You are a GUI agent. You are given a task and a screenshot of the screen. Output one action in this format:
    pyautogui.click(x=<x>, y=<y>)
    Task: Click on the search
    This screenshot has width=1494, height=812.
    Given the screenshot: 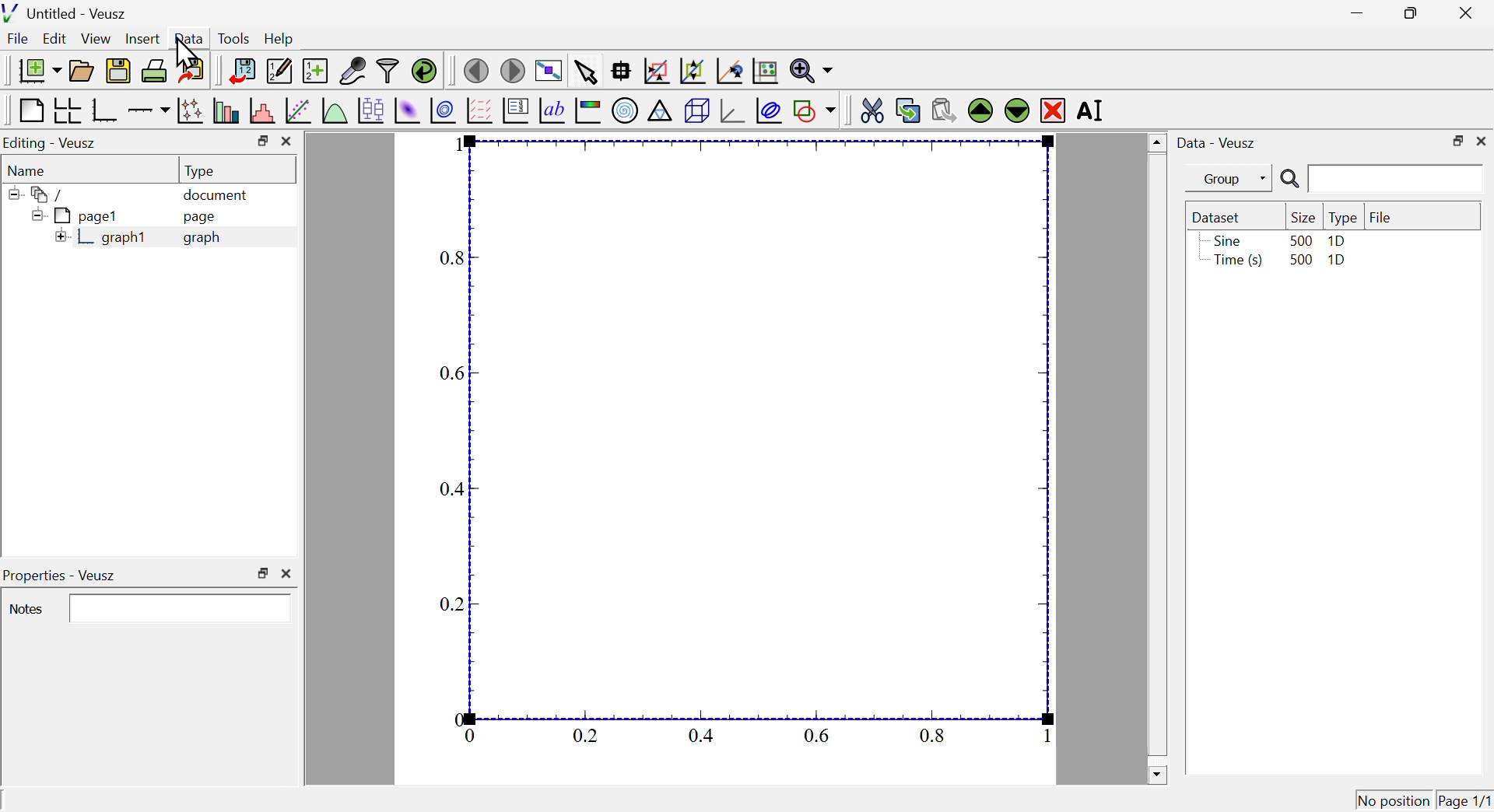 What is the action you would take?
    pyautogui.click(x=1378, y=180)
    